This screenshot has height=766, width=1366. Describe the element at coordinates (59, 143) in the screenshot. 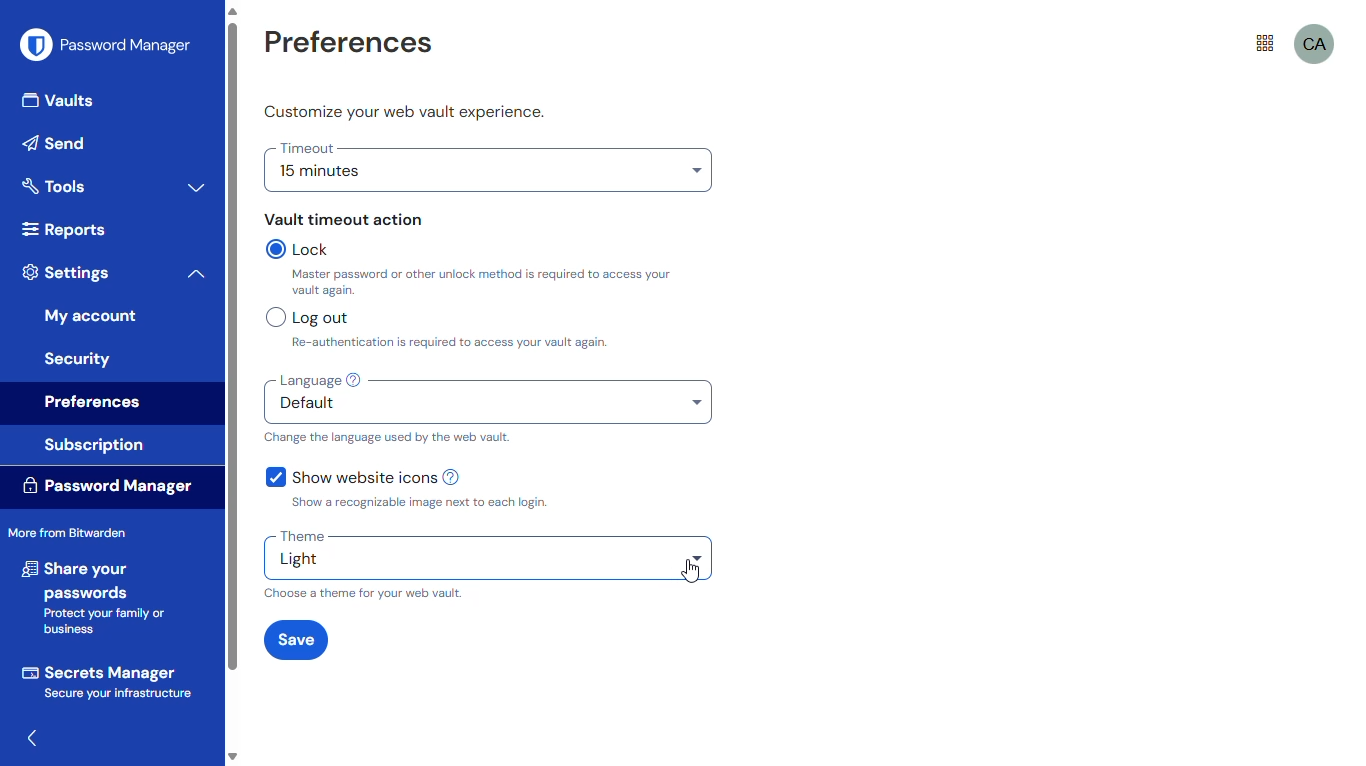

I see `send` at that location.